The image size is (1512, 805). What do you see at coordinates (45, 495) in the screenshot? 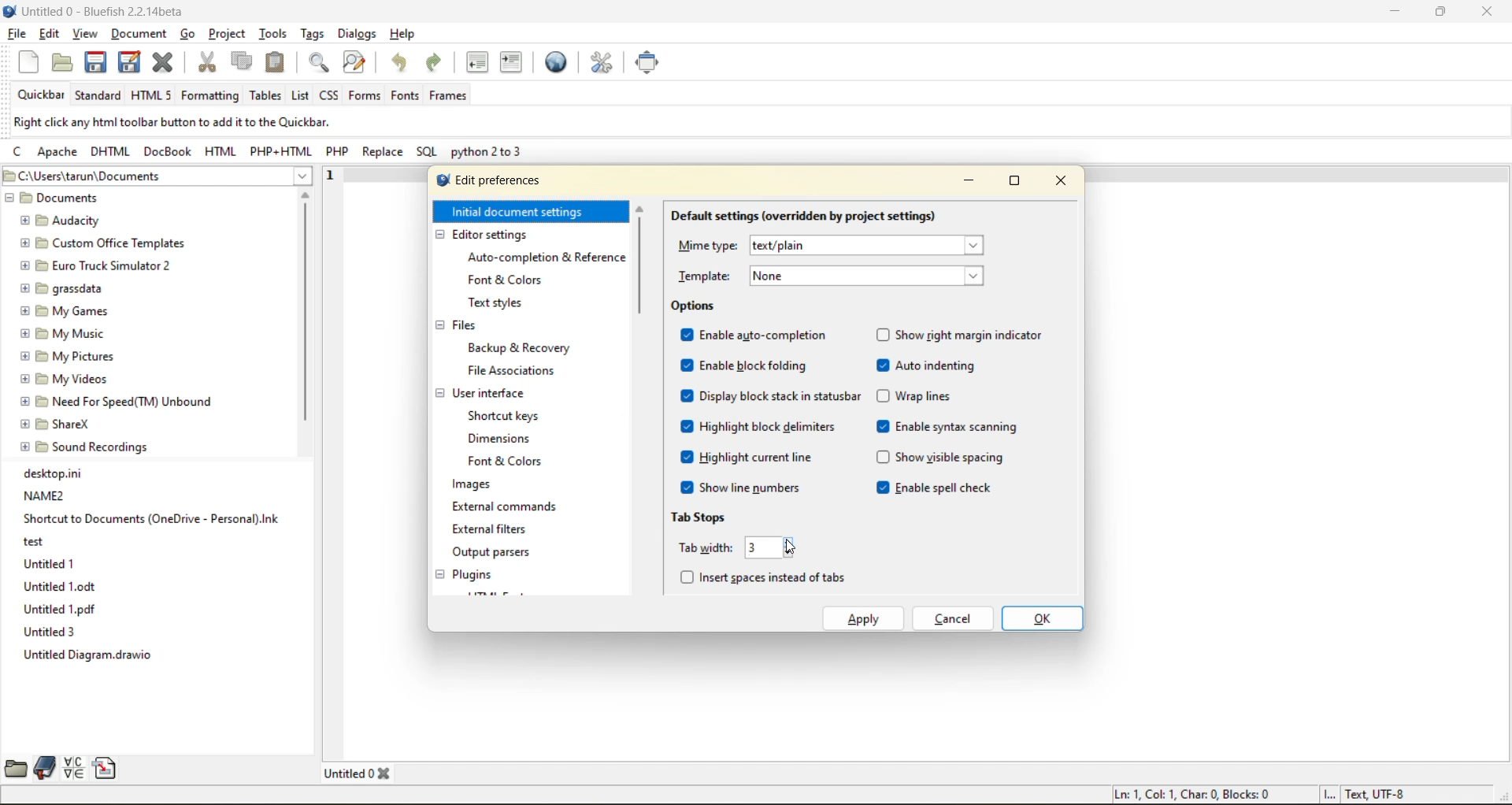
I see `NAME2` at bounding box center [45, 495].